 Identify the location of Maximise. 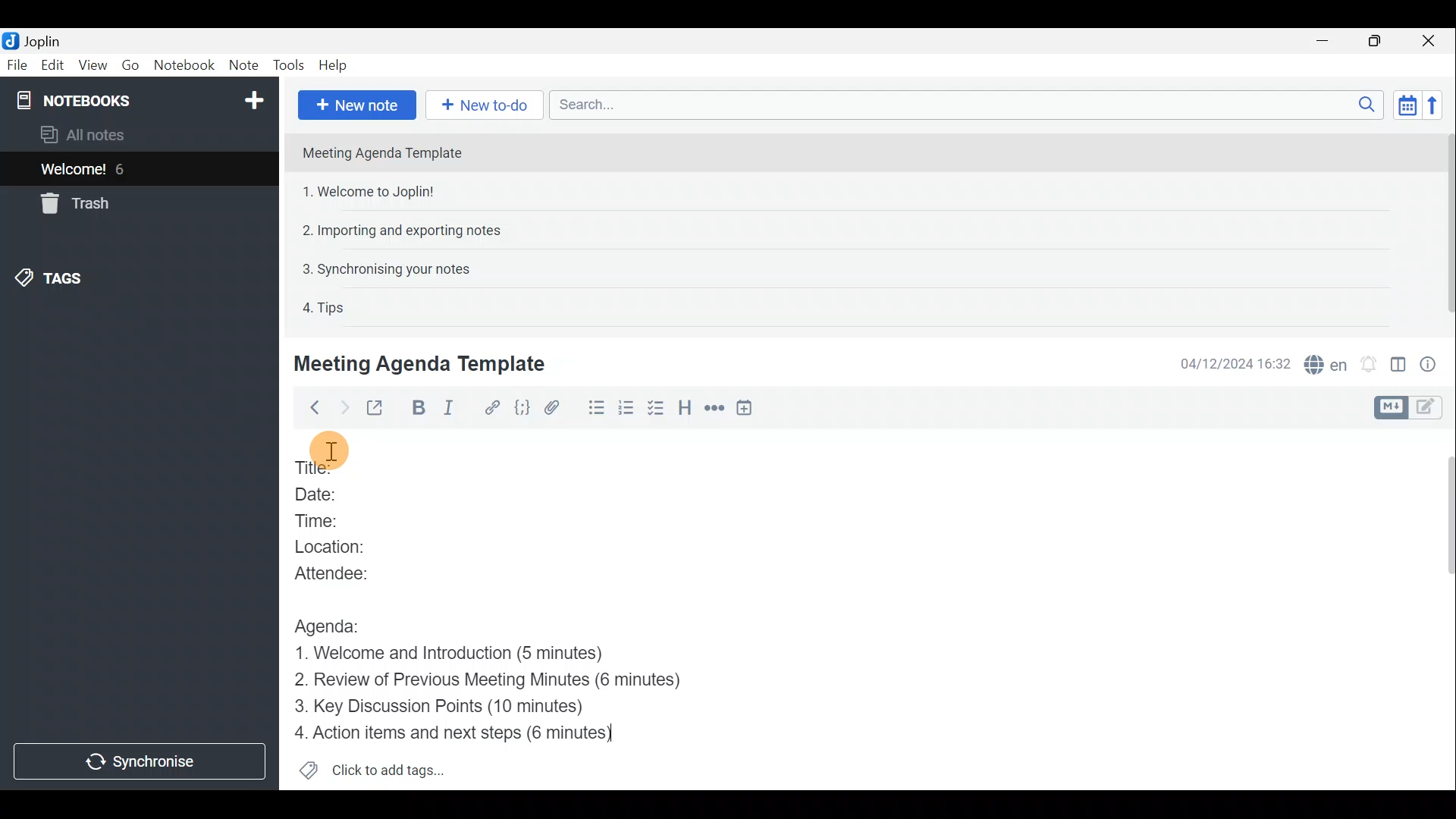
(1376, 42).